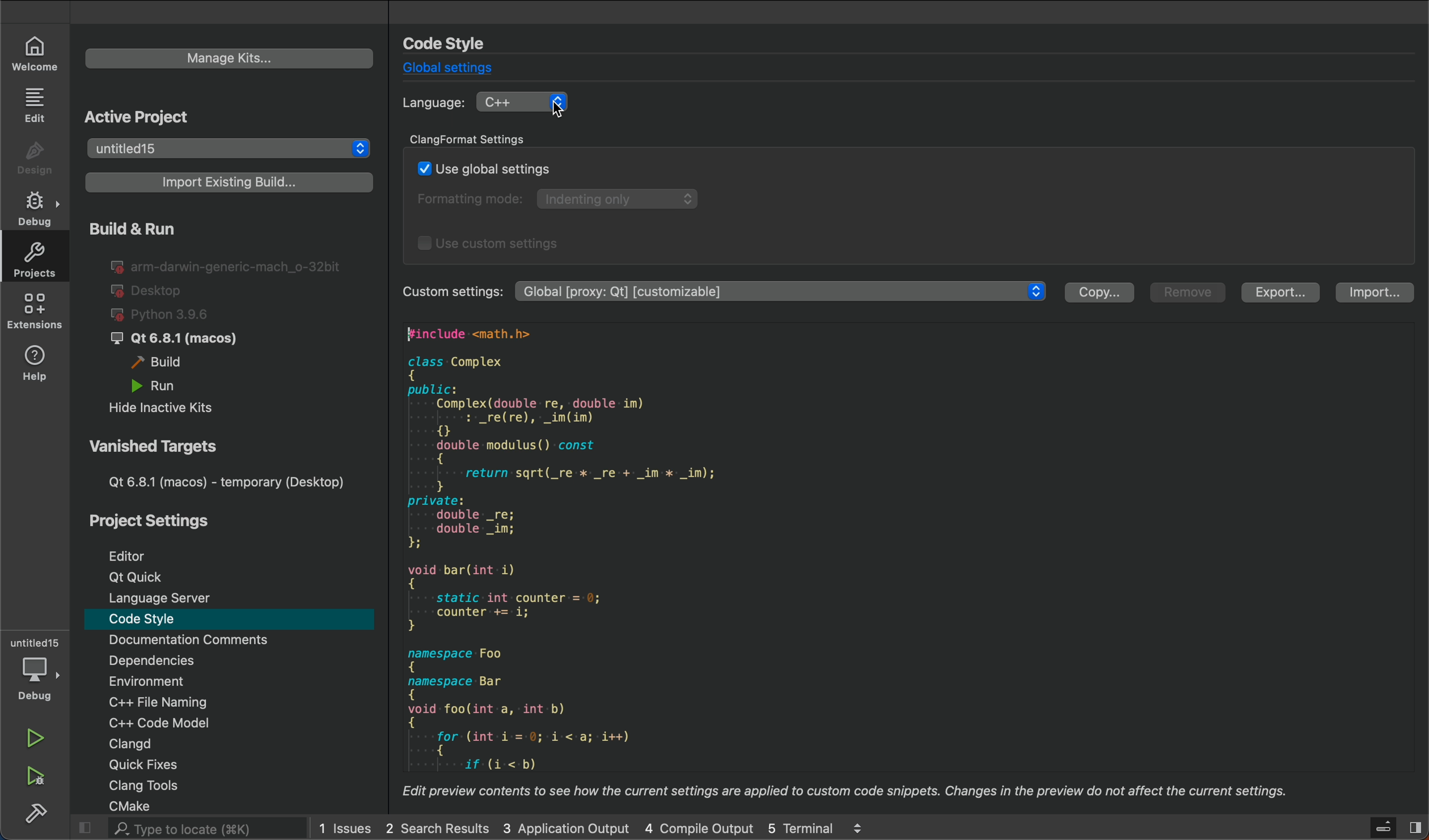  I want to click on manage kit, so click(230, 58).